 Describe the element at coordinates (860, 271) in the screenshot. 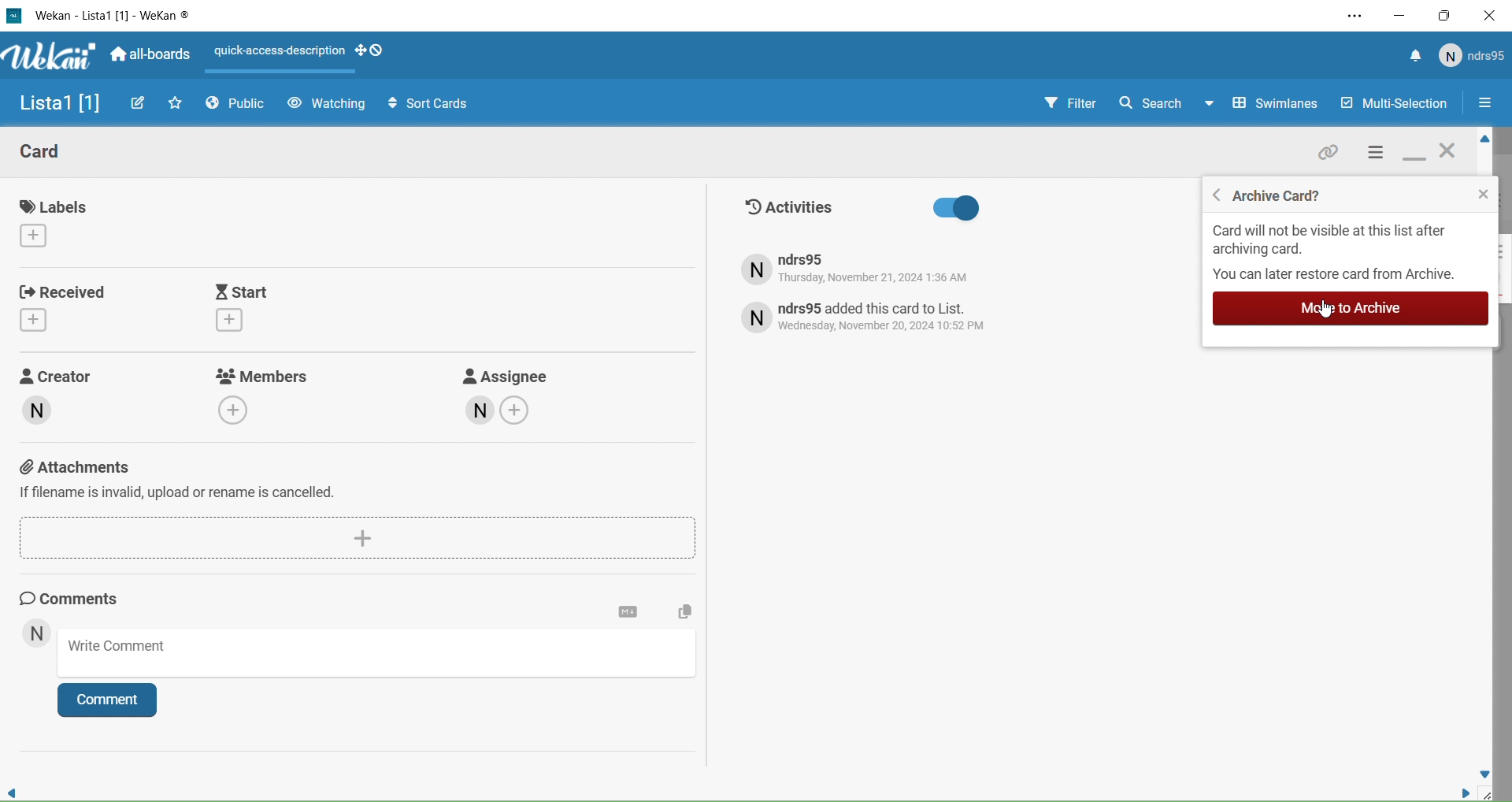

I see `activity` at that location.